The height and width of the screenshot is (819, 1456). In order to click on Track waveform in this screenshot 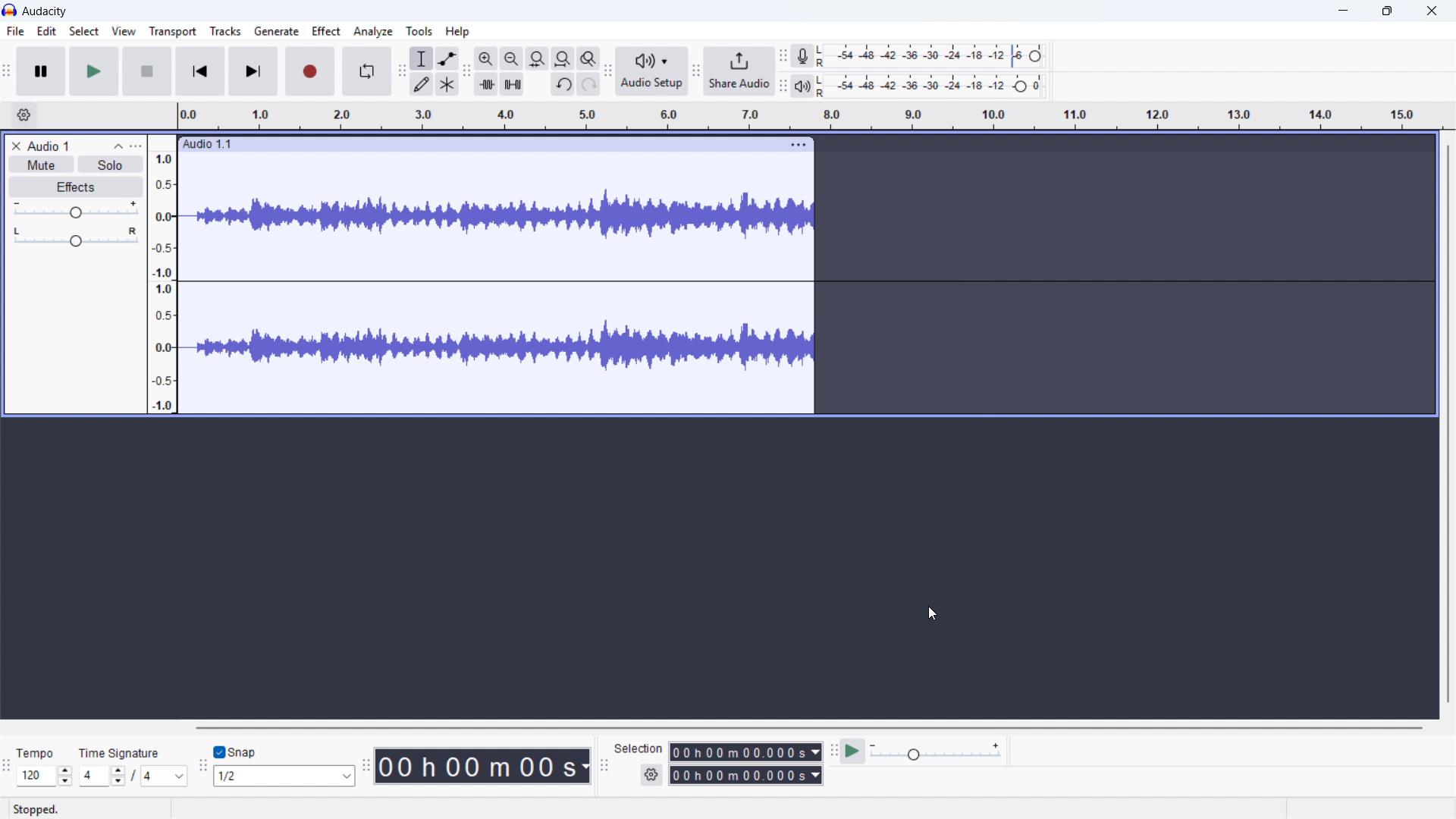, I will do `click(499, 350)`.